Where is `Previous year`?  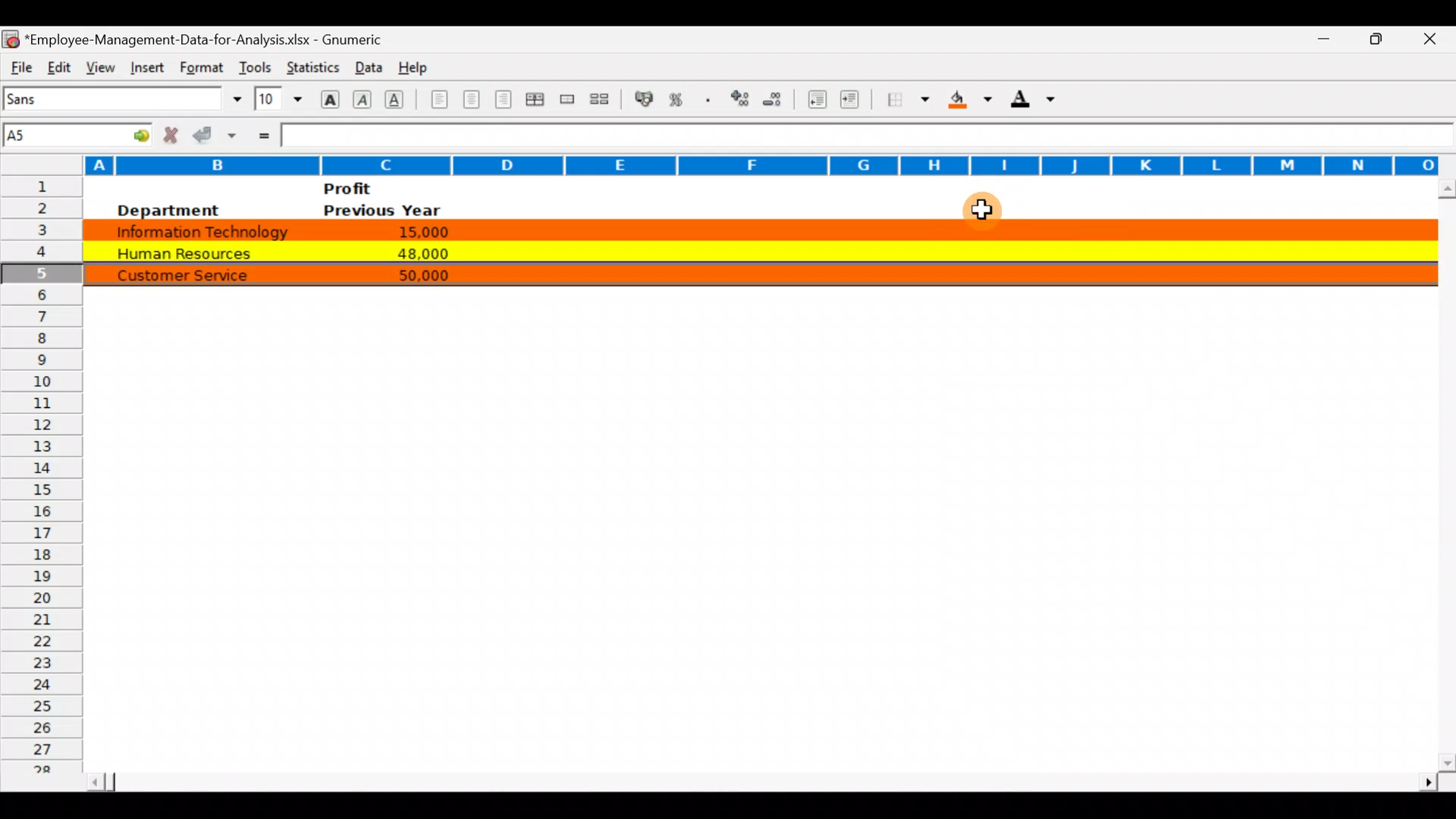
Previous year is located at coordinates (382, 211).